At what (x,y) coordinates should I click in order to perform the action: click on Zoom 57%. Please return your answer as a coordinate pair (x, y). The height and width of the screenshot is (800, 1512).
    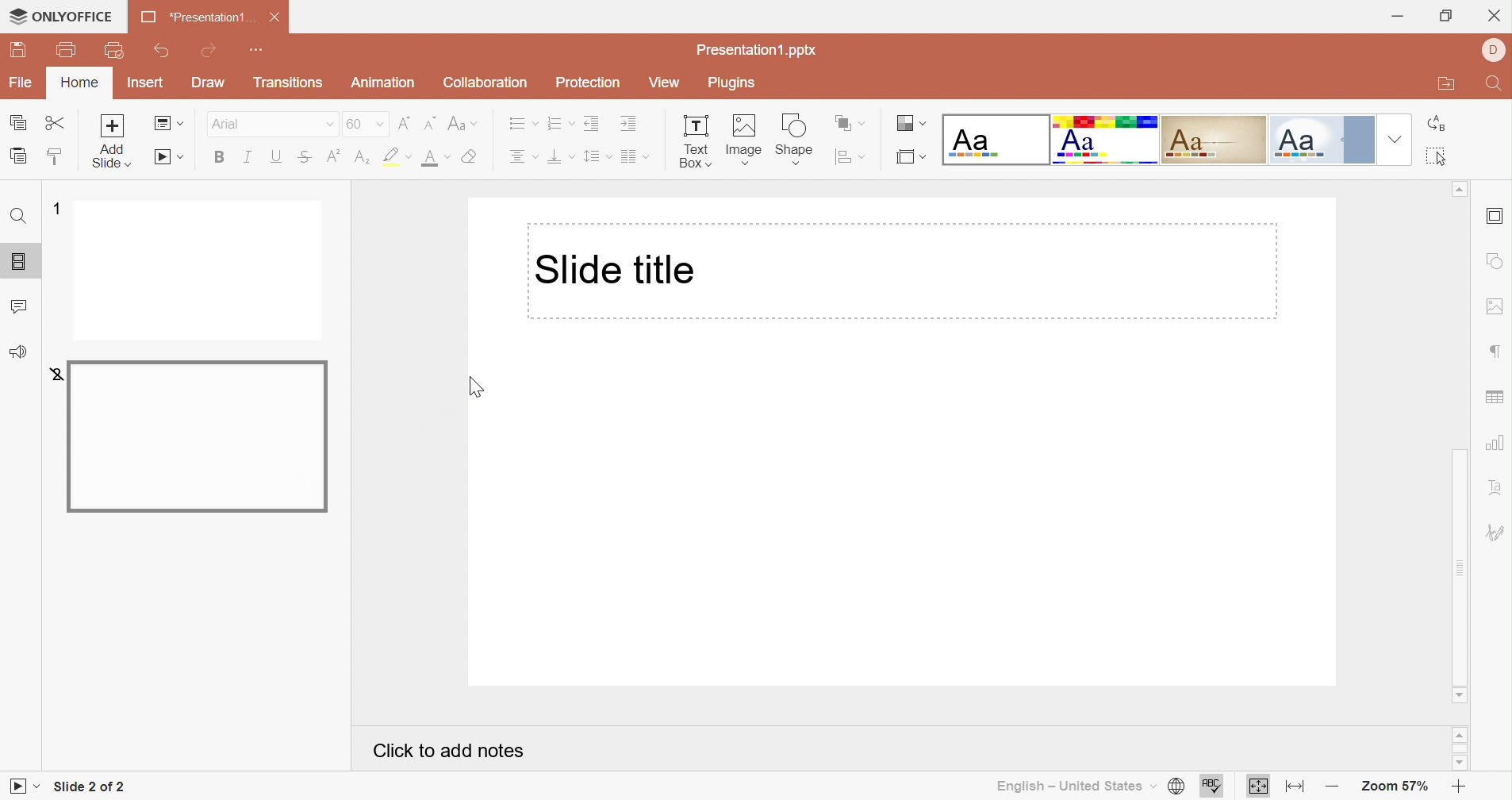
    Looking at the image, I should click on (1389, 785).